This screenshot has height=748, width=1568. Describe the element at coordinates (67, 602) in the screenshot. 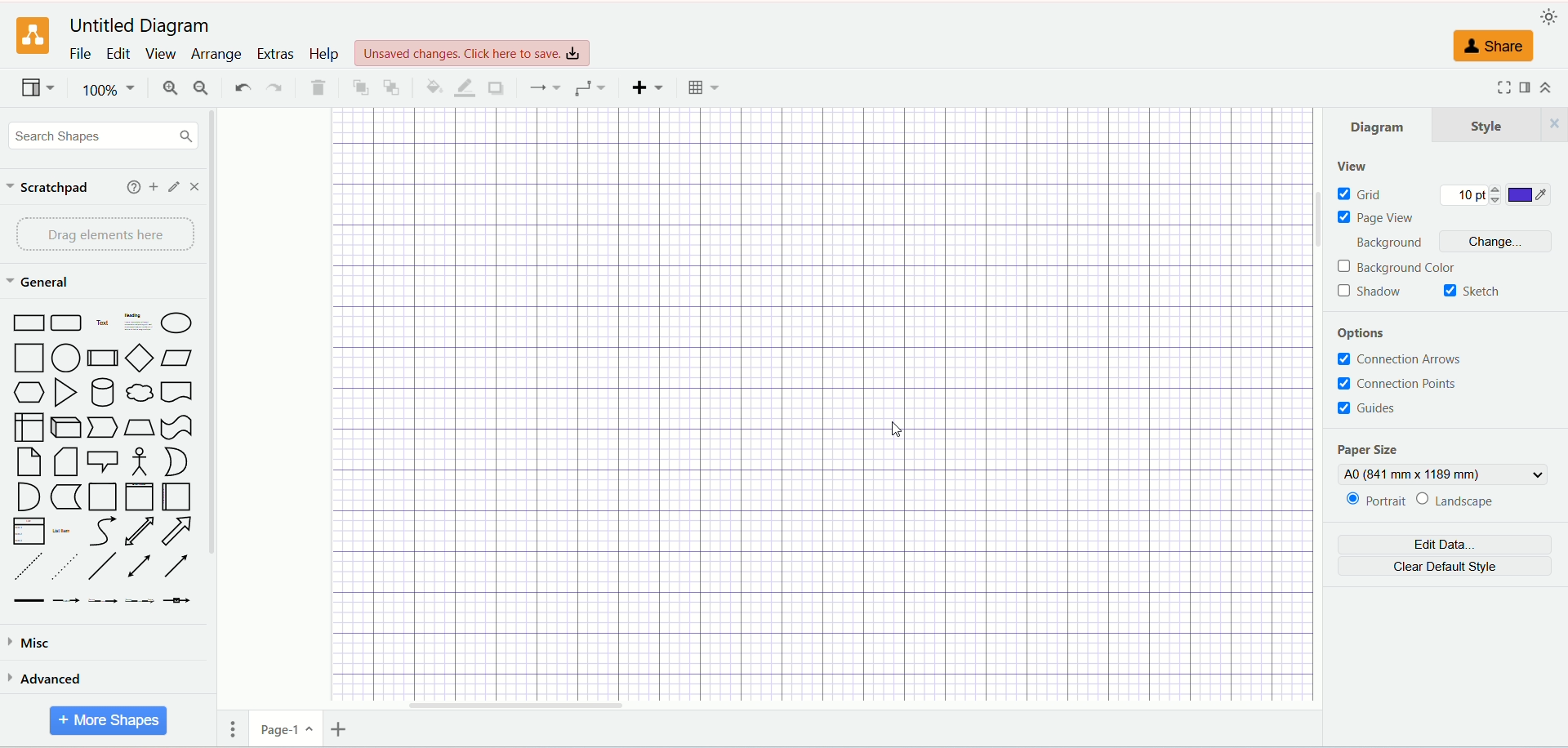

I see `Connector with Label` at that location.